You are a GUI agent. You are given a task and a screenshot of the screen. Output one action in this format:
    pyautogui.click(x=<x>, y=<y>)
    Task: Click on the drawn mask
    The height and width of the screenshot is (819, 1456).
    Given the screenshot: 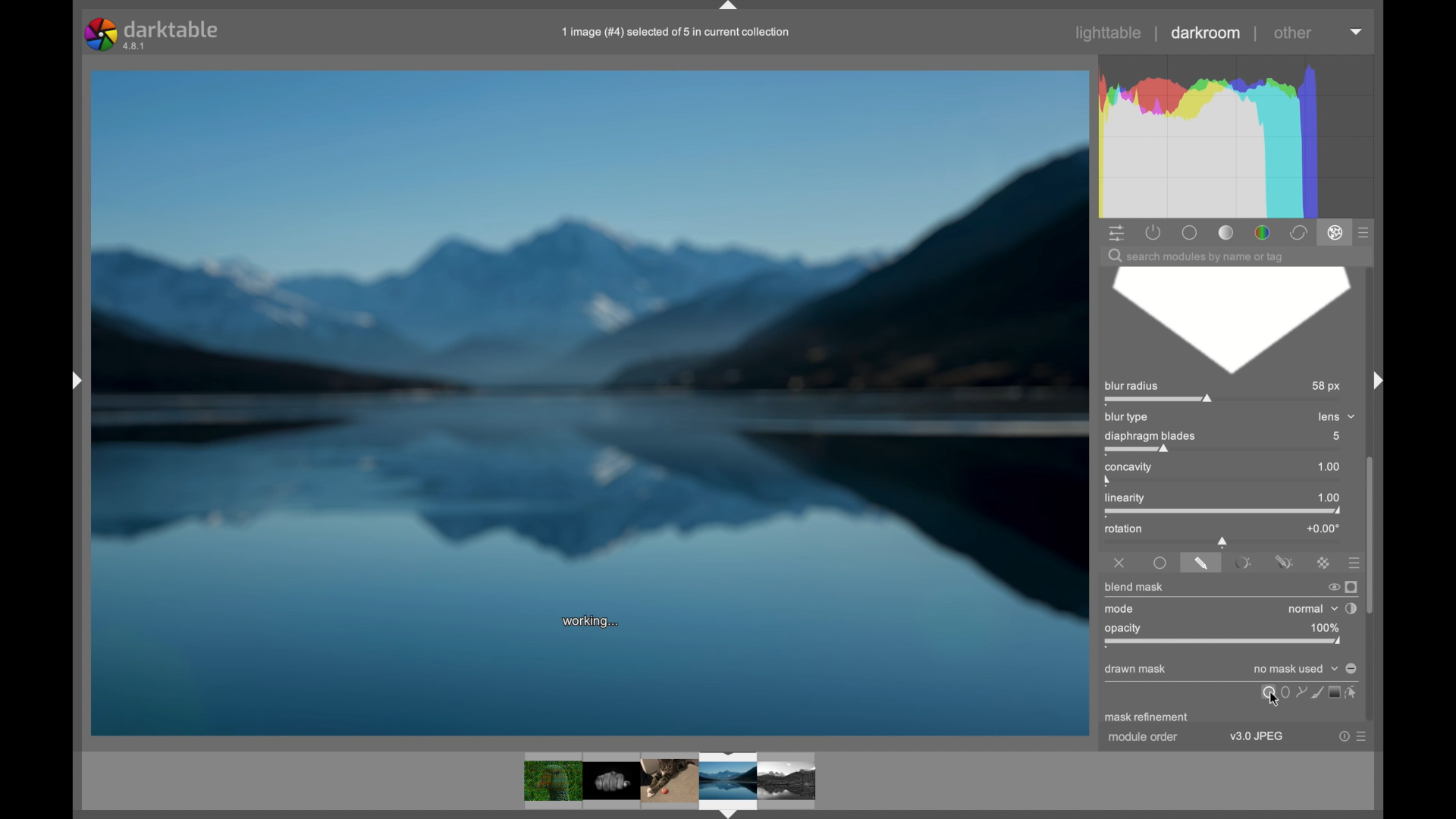 What is the action you would take?
    pyautogui.click(x=1137, y=670)
    